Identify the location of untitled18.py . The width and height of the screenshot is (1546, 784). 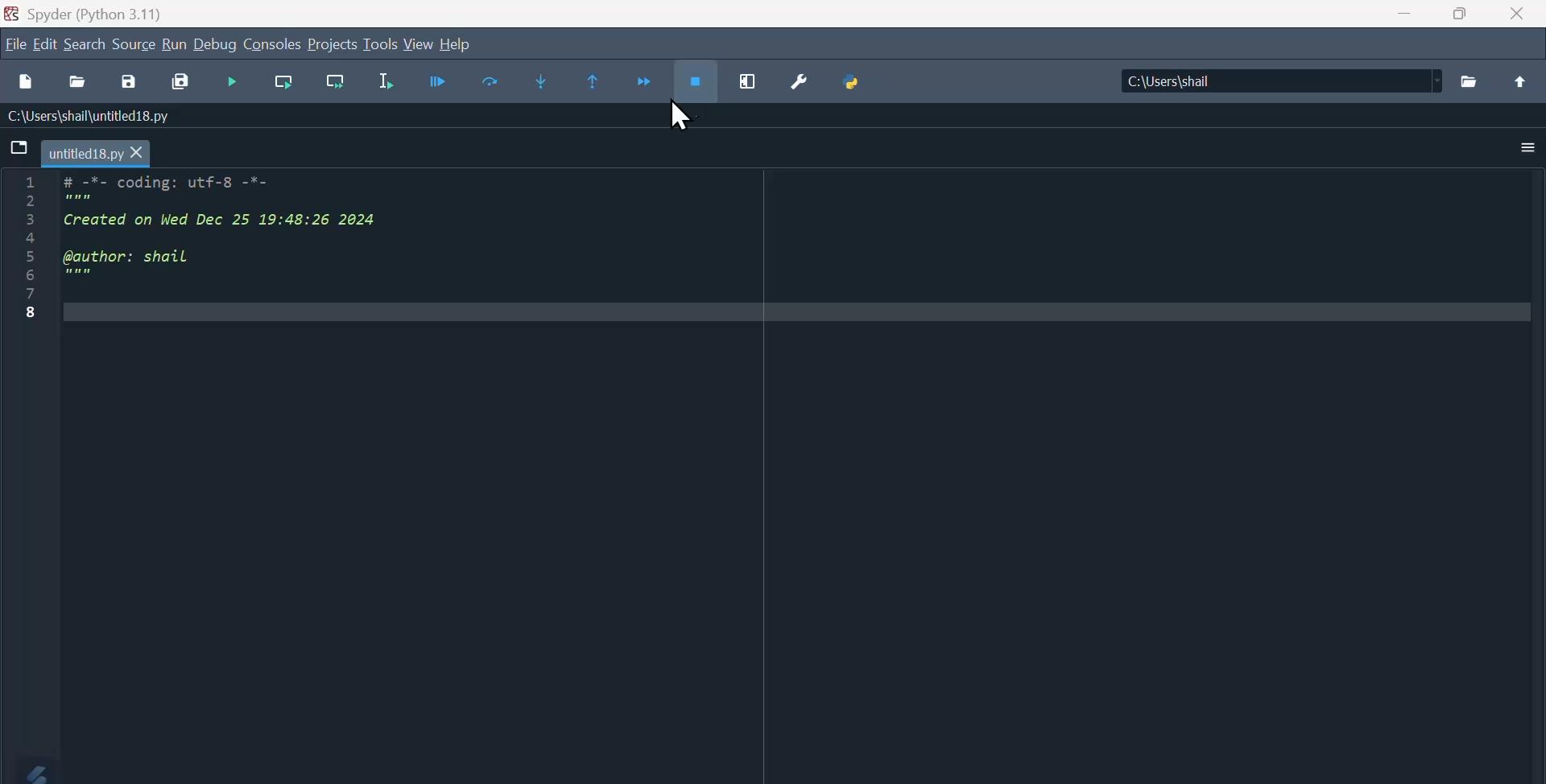
(104, 153).